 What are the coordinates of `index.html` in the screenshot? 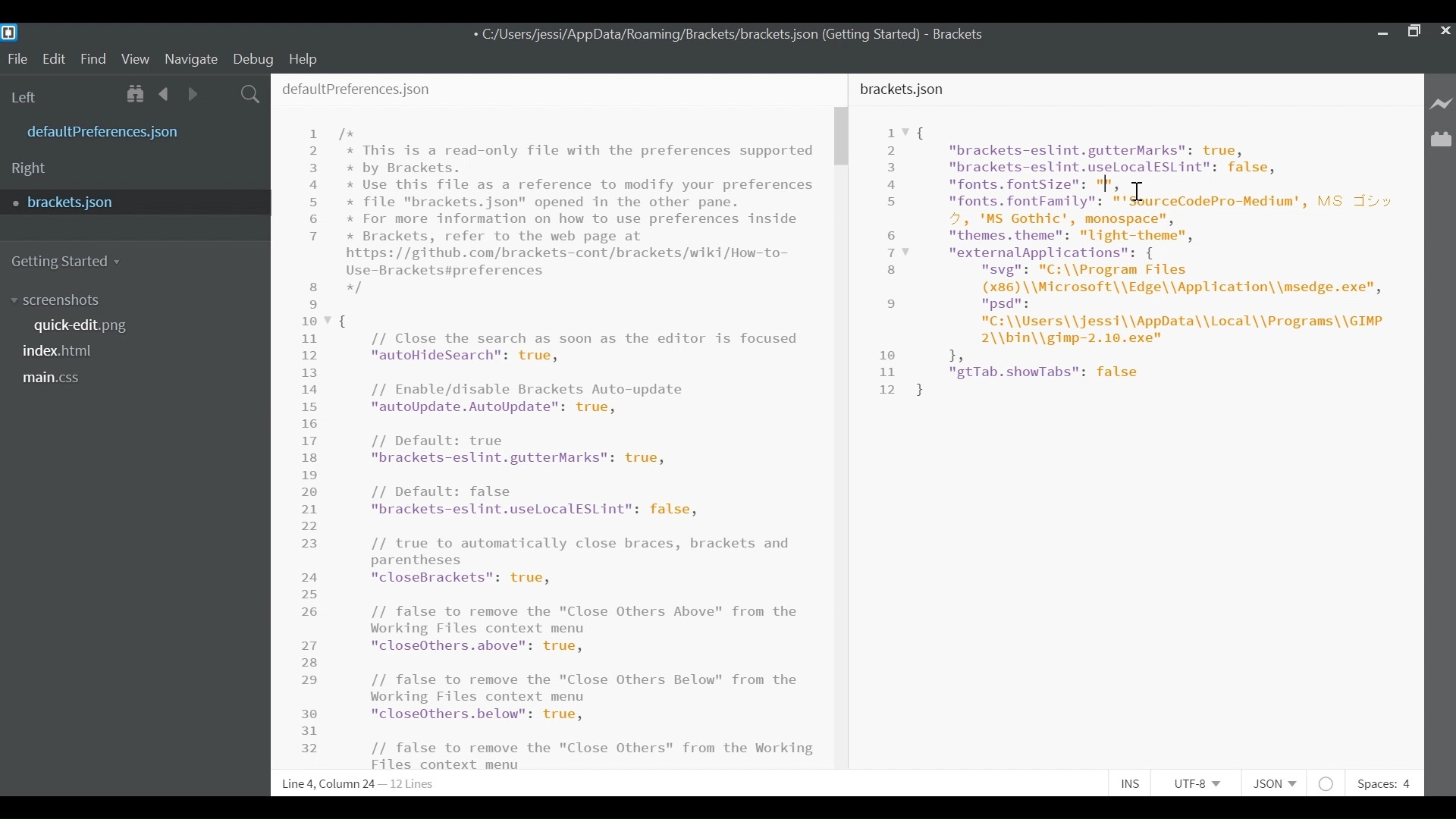 It's located at (63, 352).